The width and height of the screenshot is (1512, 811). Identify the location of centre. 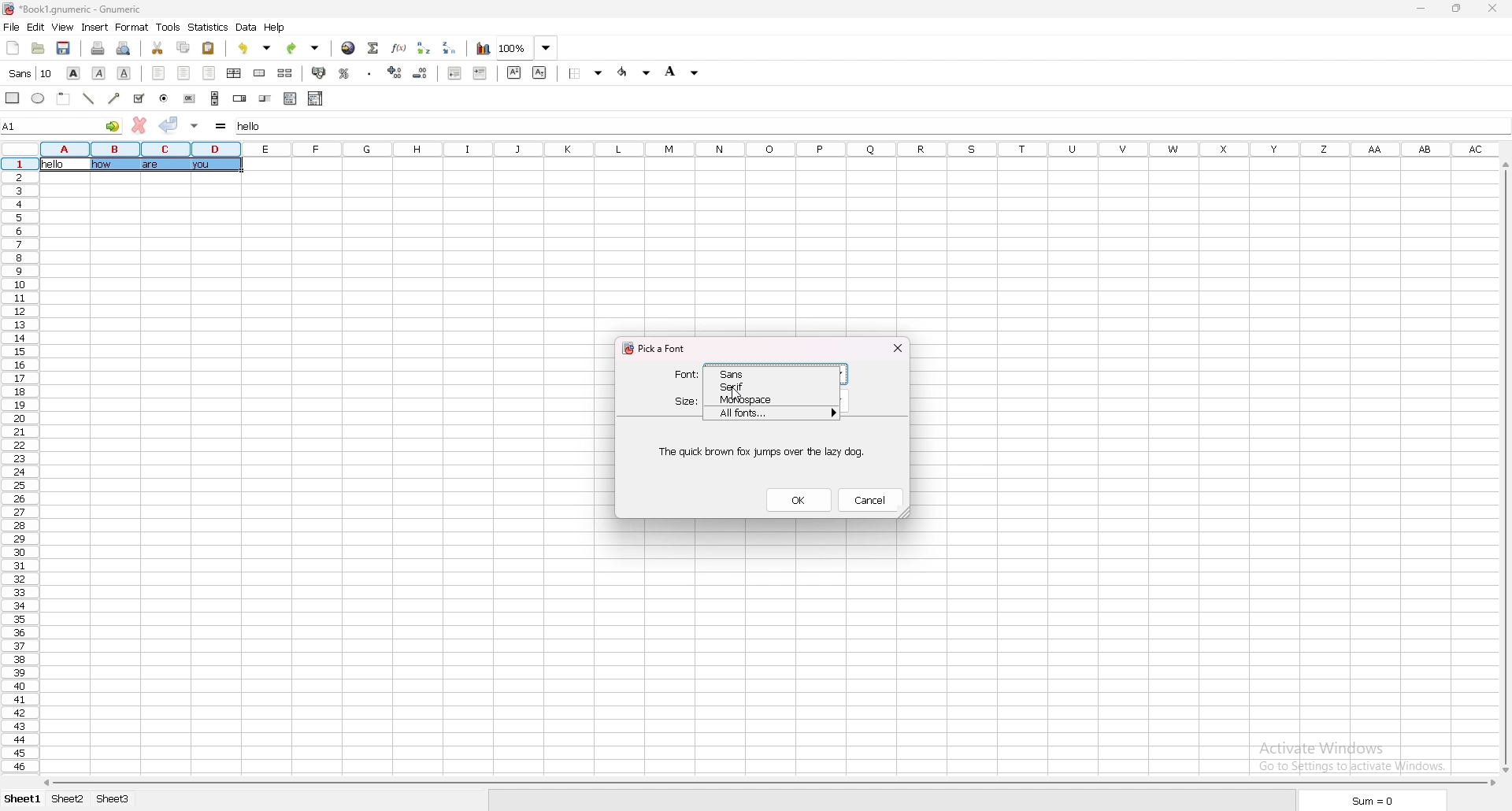
(183, 73).